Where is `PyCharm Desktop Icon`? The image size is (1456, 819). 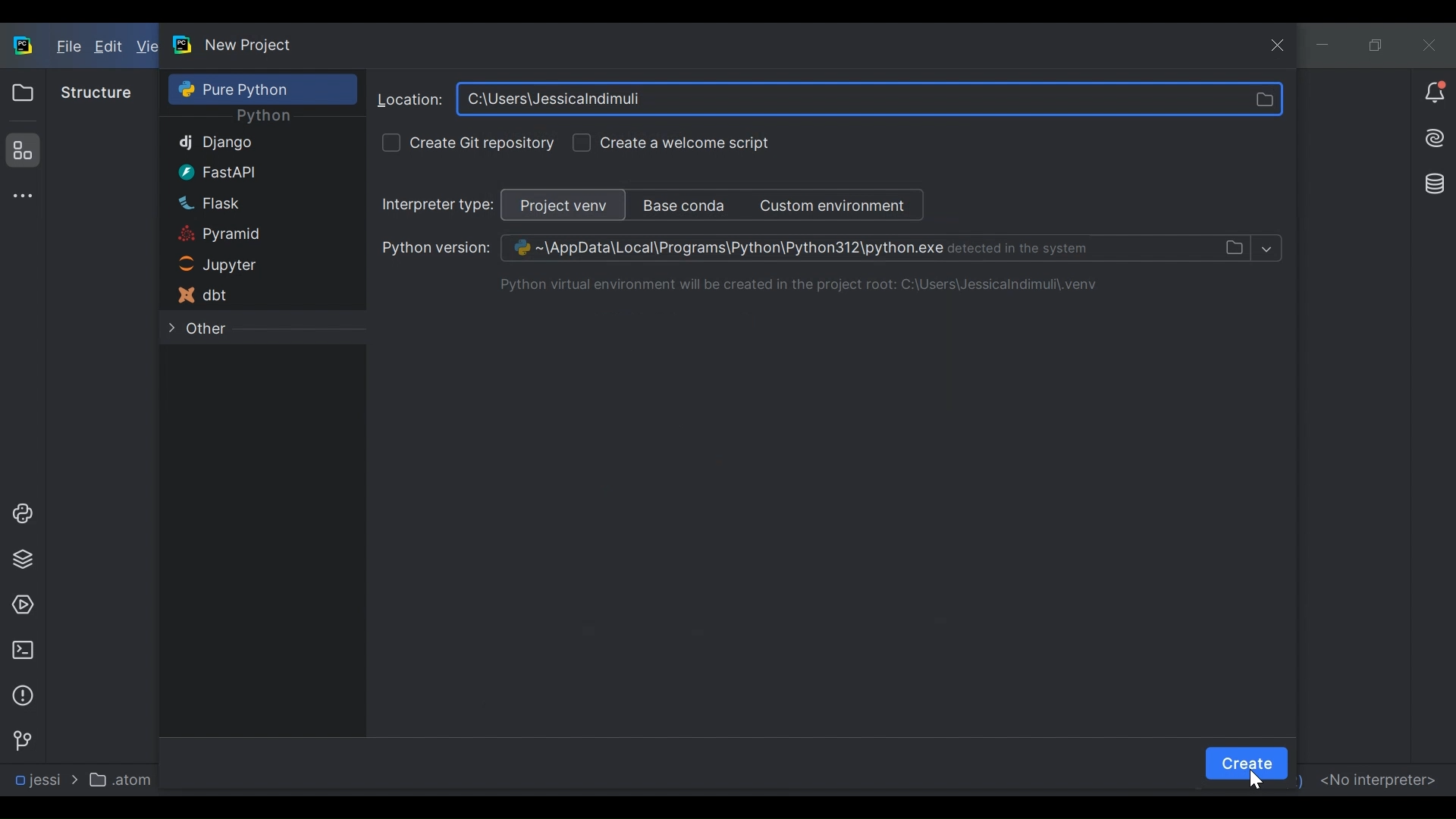
PyCharm Desktop Icon is located at coordinates (24, 47).